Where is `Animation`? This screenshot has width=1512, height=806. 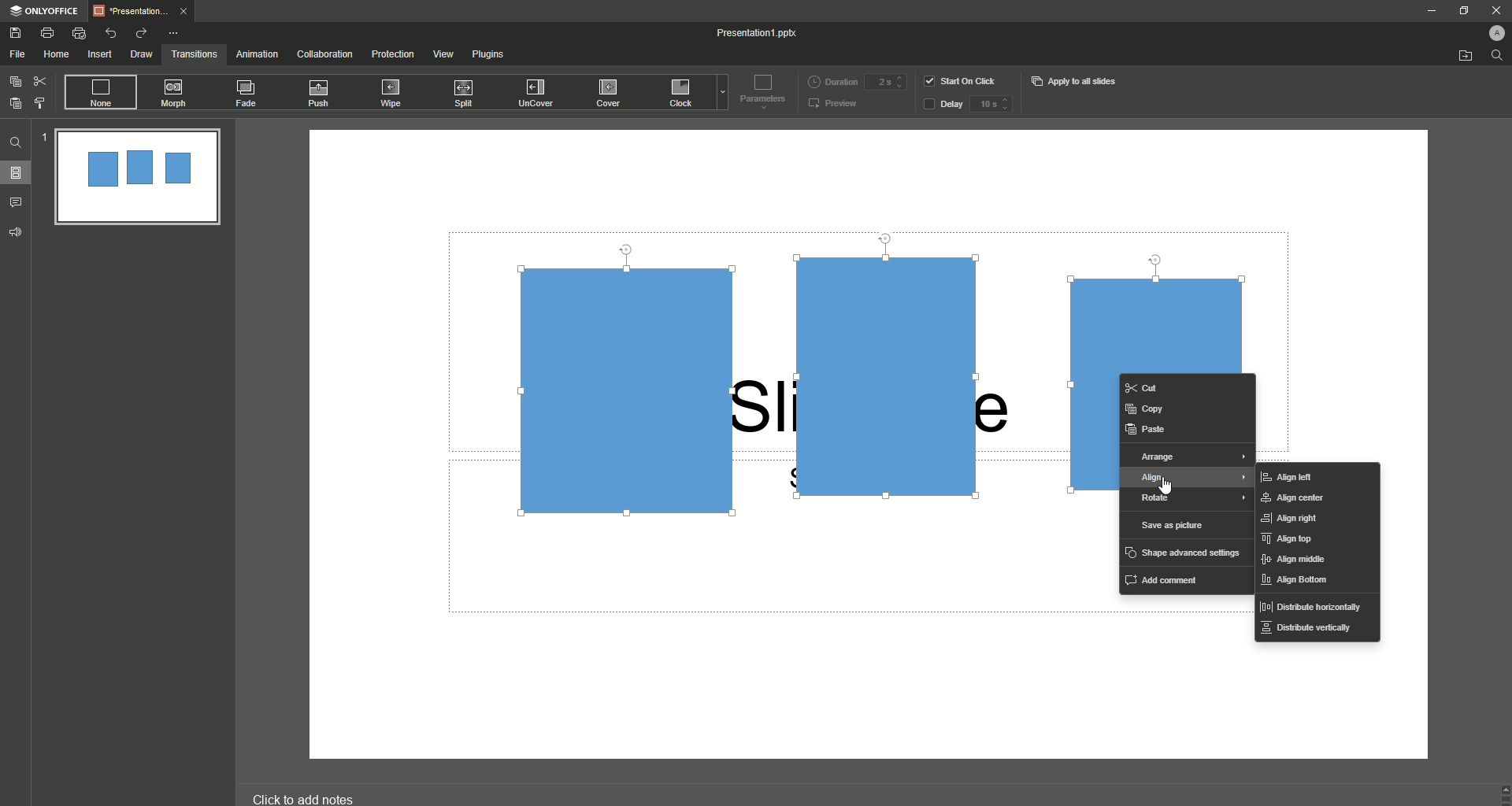 Animation is located at coordinates (256, 54).